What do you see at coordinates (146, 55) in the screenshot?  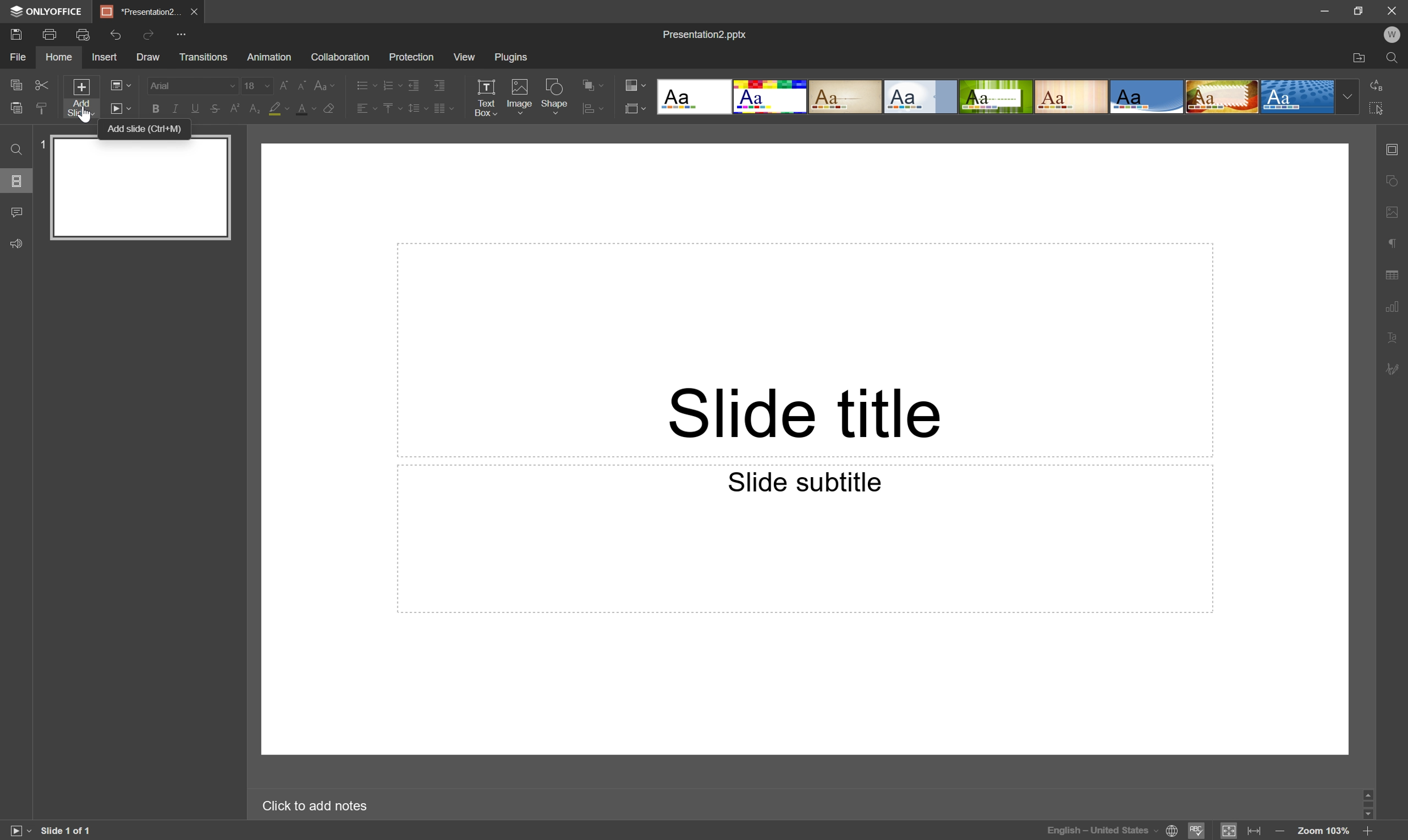 I see `Draw` at bounding box center [146, 55].